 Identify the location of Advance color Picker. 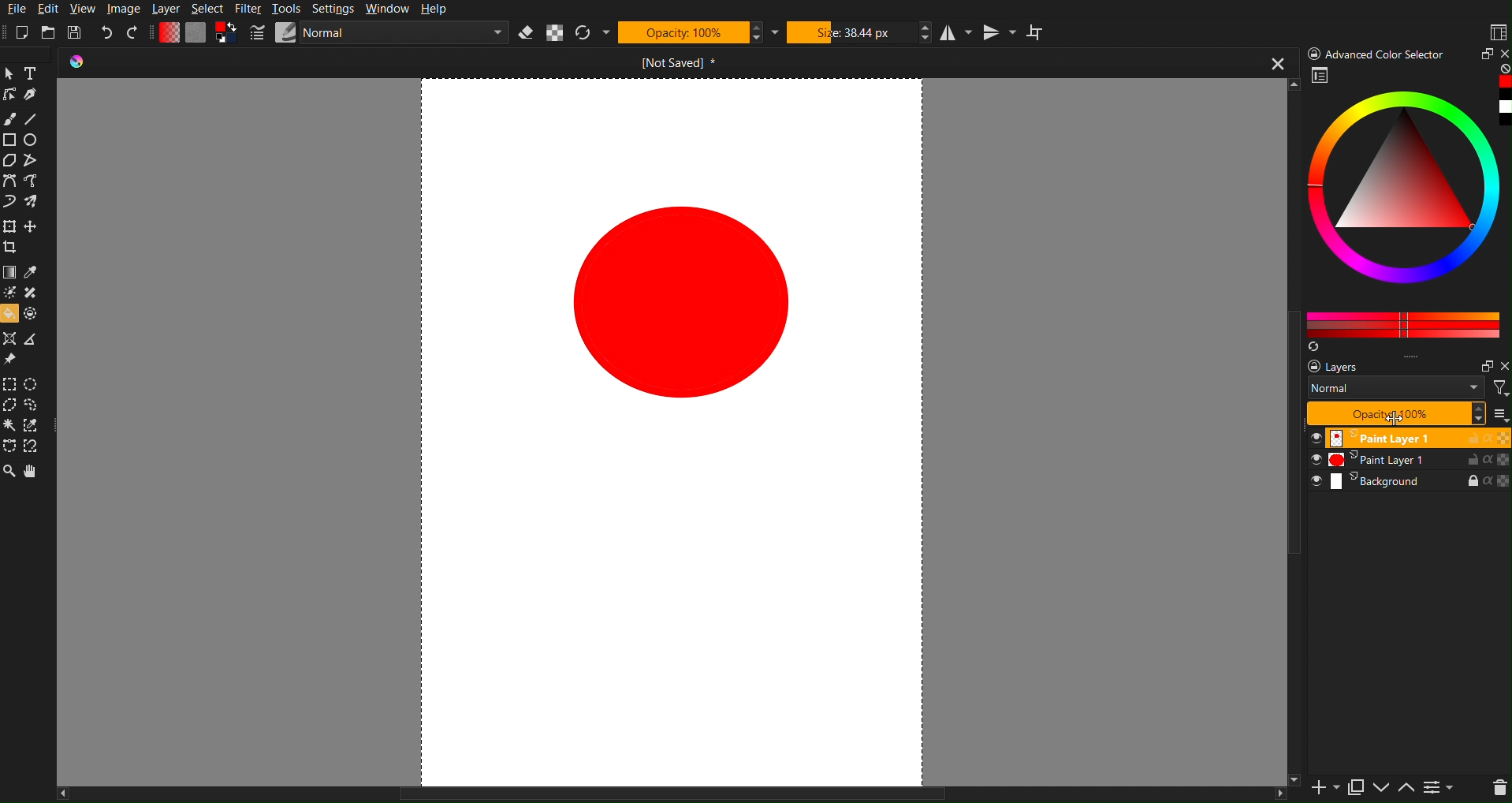
(1377, 54).